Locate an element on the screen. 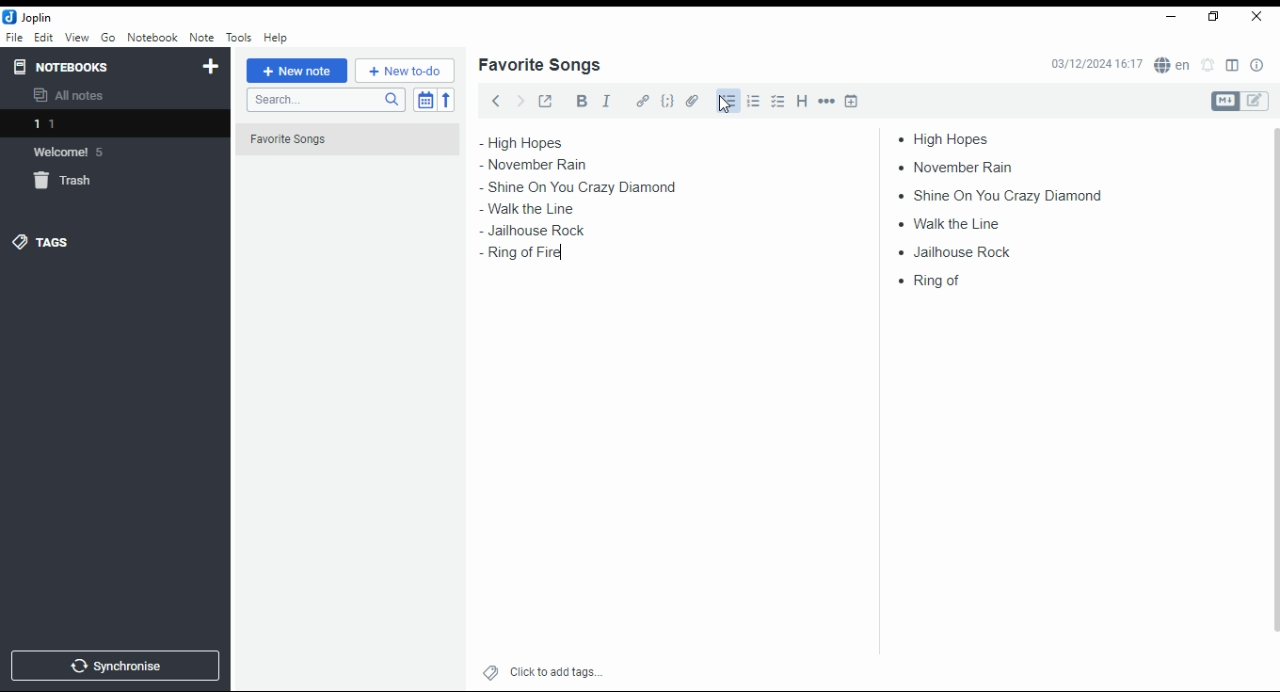  shine on you crazy diamond is located at coordinates (584, 186).